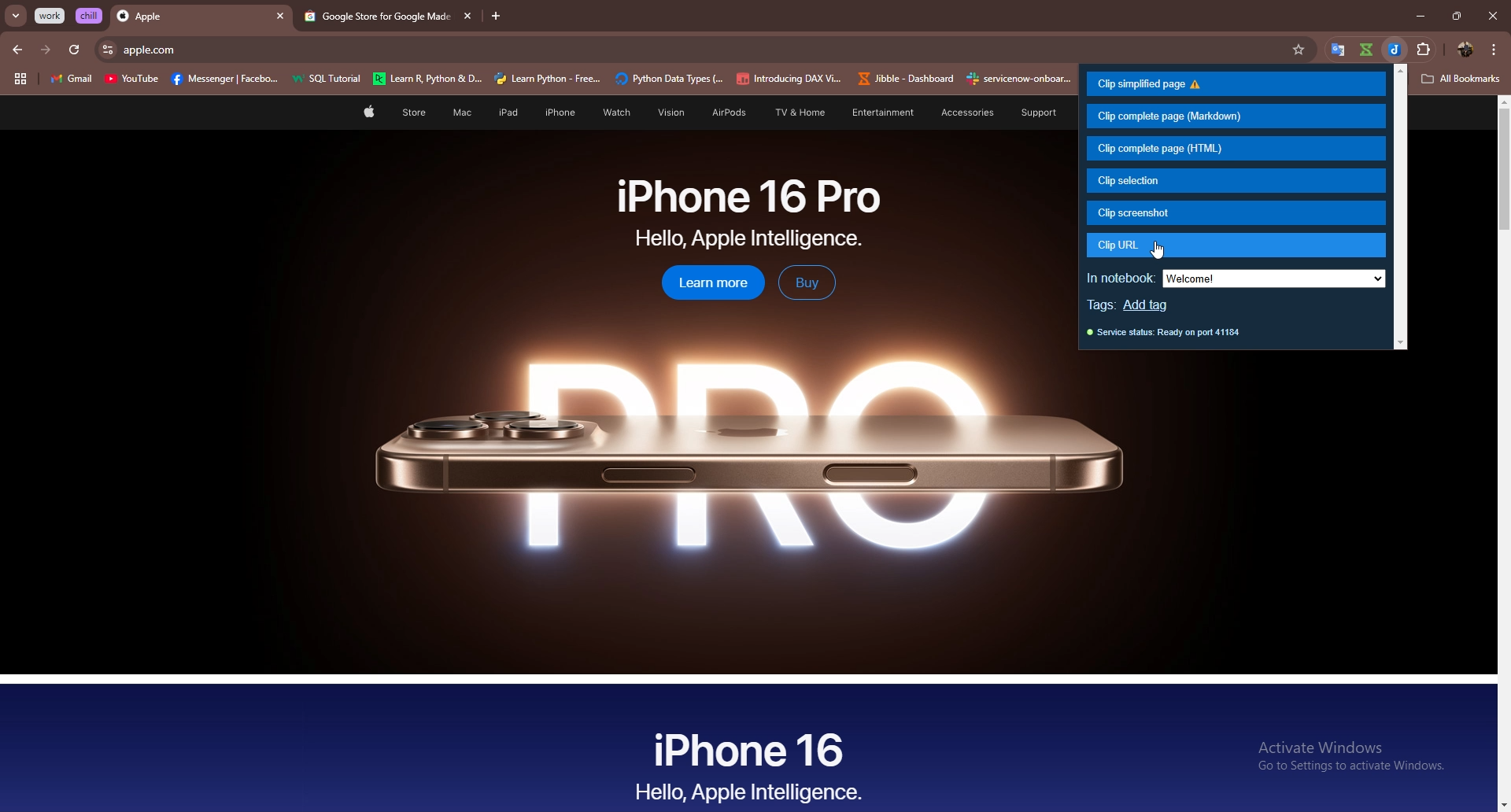 This screenshot has width=1511, height=812. What do you see at coordinates (789, 79) in the screenshot?
I see `Introducing DAX Vi..` at bounding box center [789, 79].